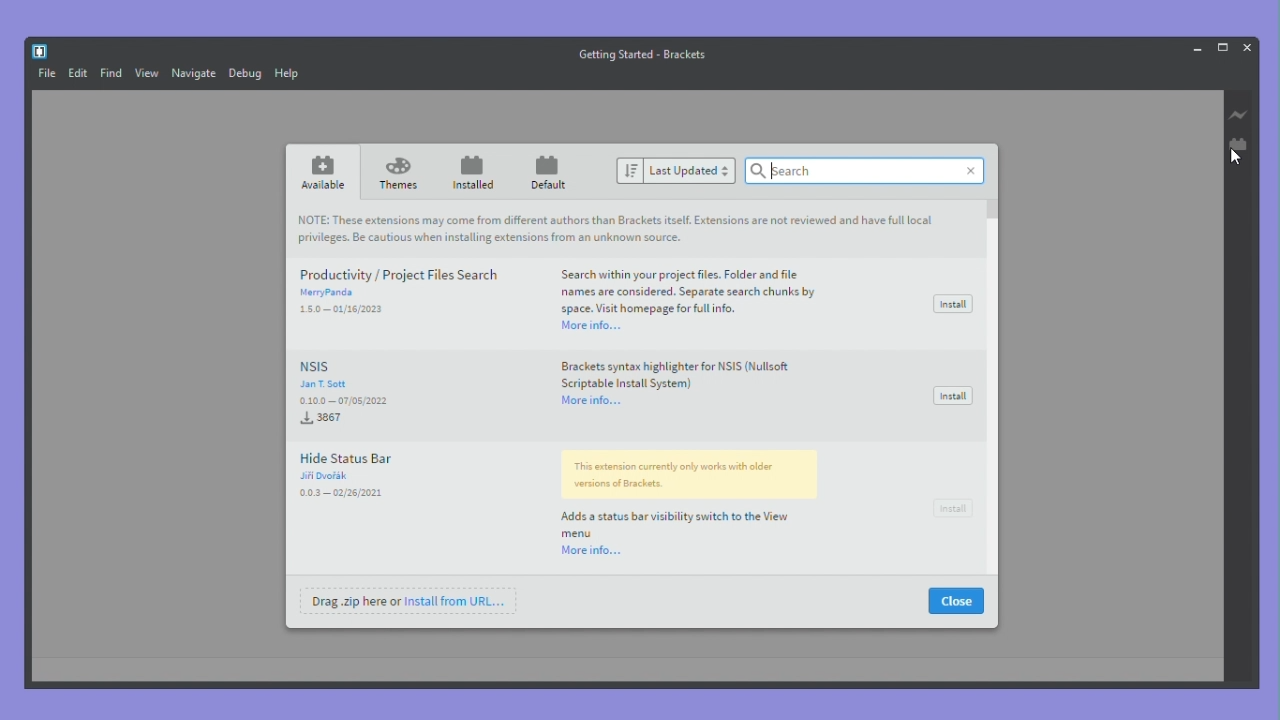  What do you see at coordinates (196, 74) in the screenshot?
I see `Navigate` at bounding box center [196, 74].